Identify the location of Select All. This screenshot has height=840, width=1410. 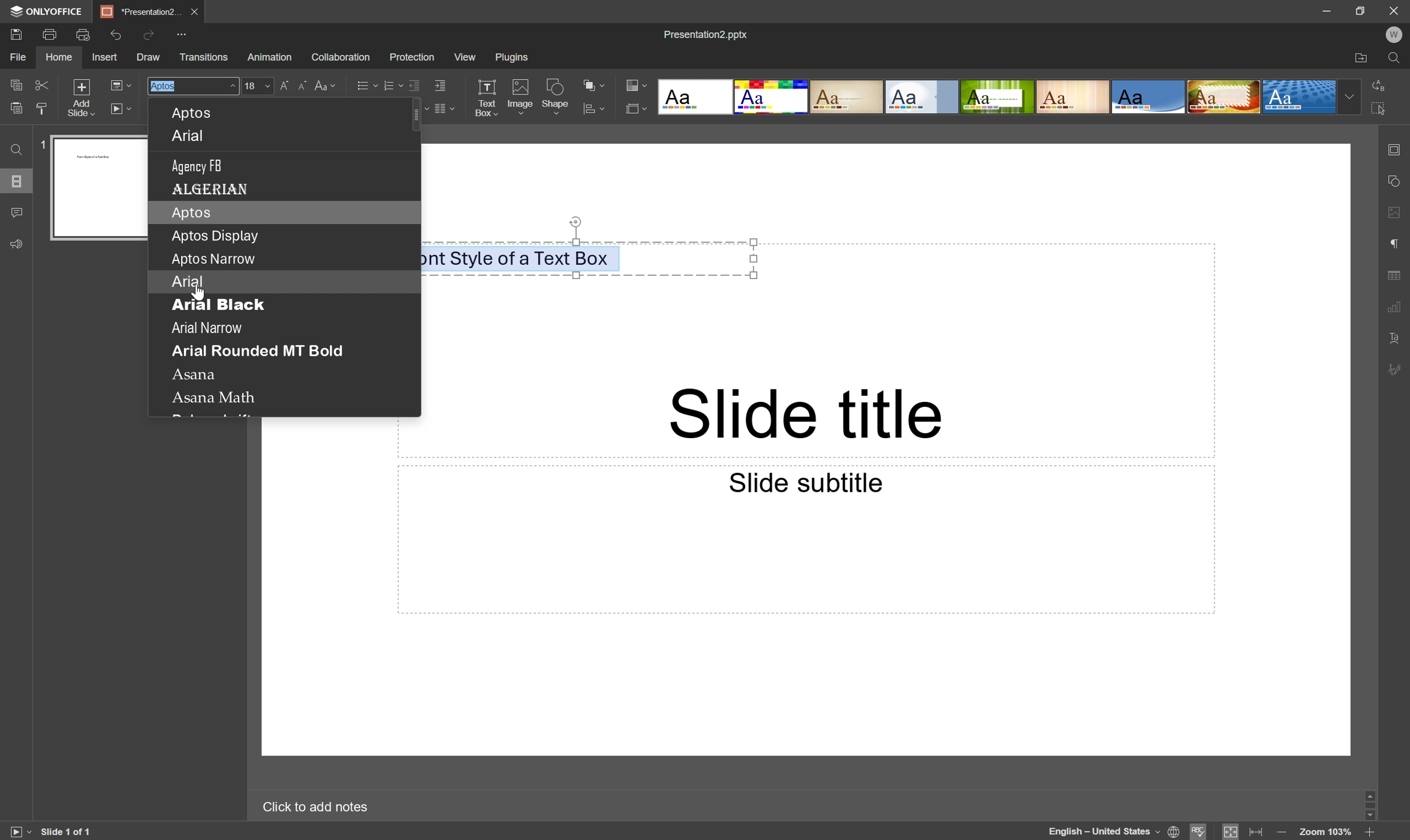
(1378, 108).